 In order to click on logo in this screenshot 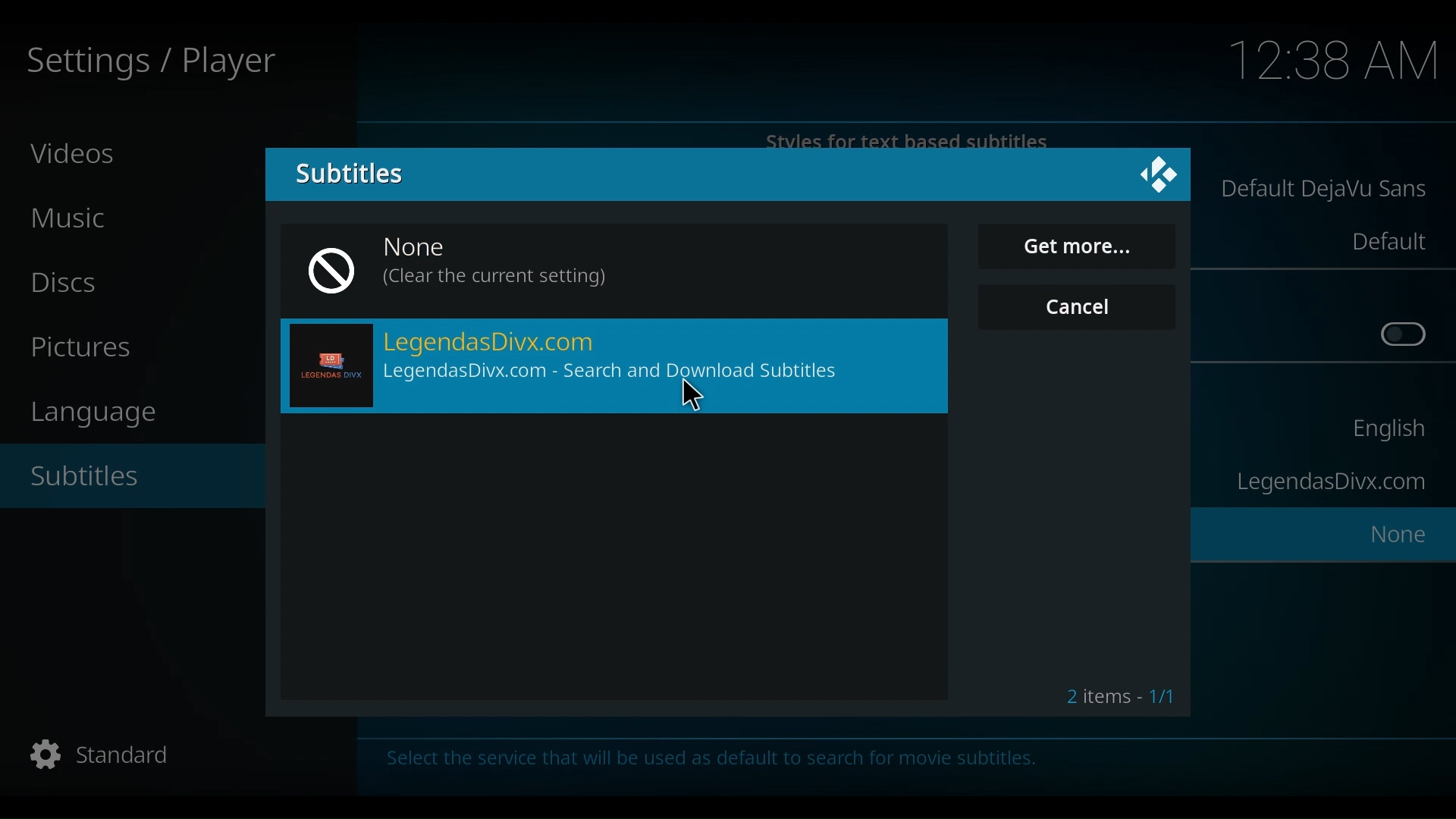, I will do `click(1163, 173)`.